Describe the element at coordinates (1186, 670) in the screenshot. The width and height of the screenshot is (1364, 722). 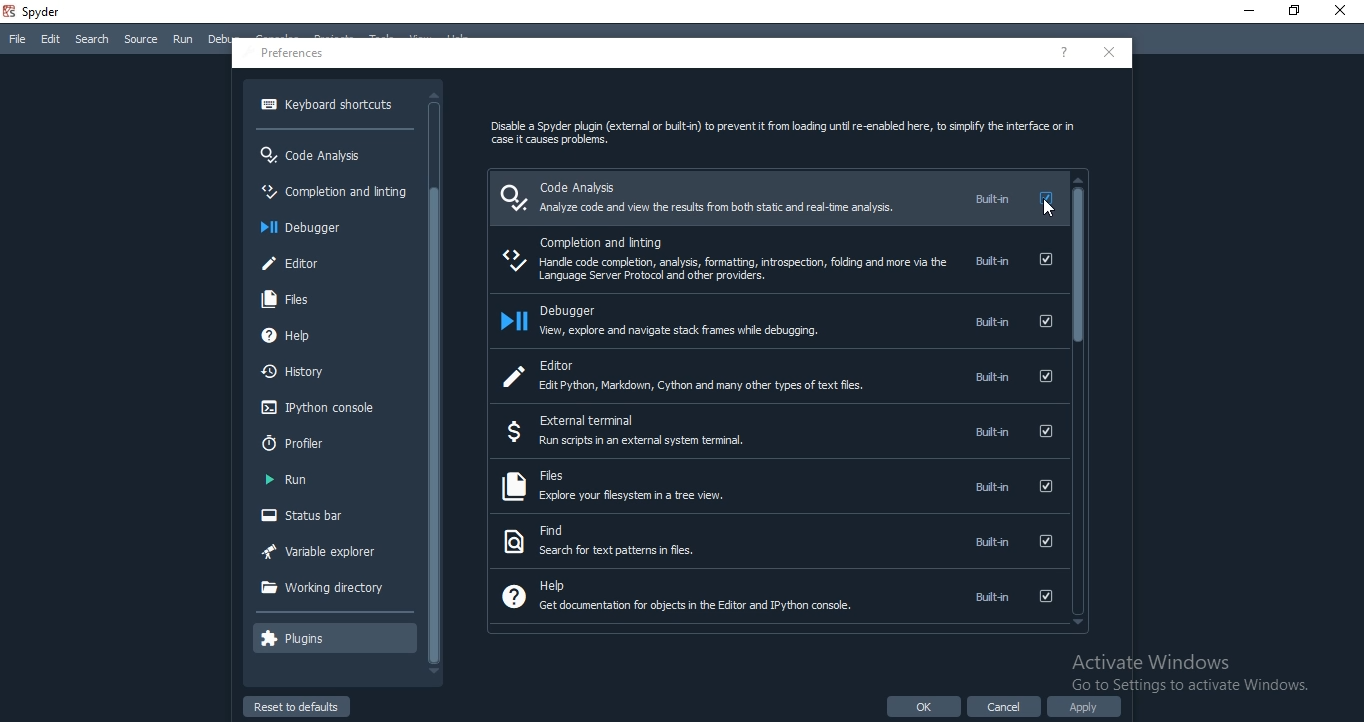
I see `Activate Windows
Go to Settinas to activate Windows.` at that location.